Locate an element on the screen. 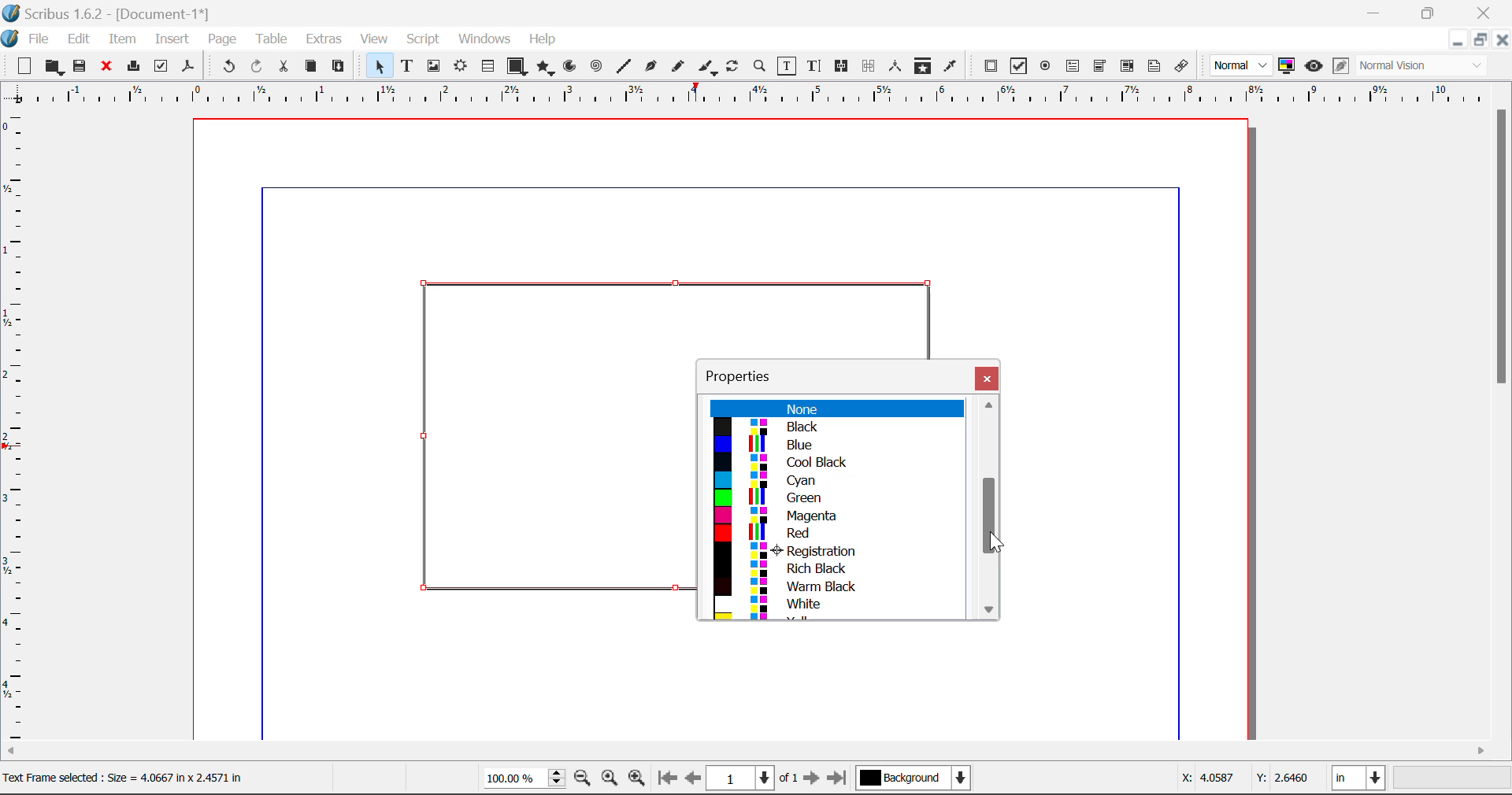 The image size is (1512, 795). Delink Frames is located at coordinates (870, 66).